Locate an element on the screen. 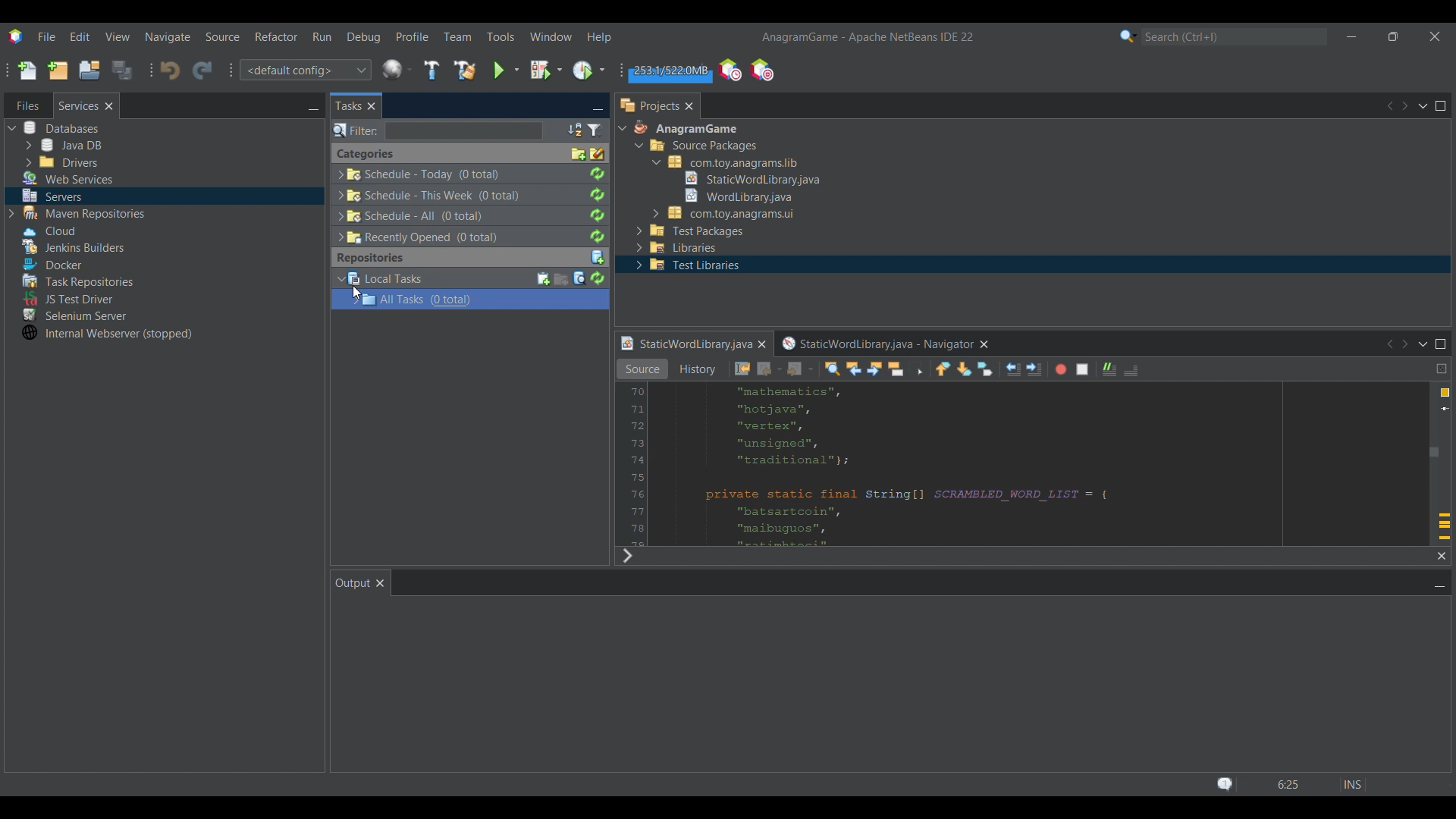 This screenshot has width=1456, height=819. Pause I/O checks is located at coordinates (761, 70).